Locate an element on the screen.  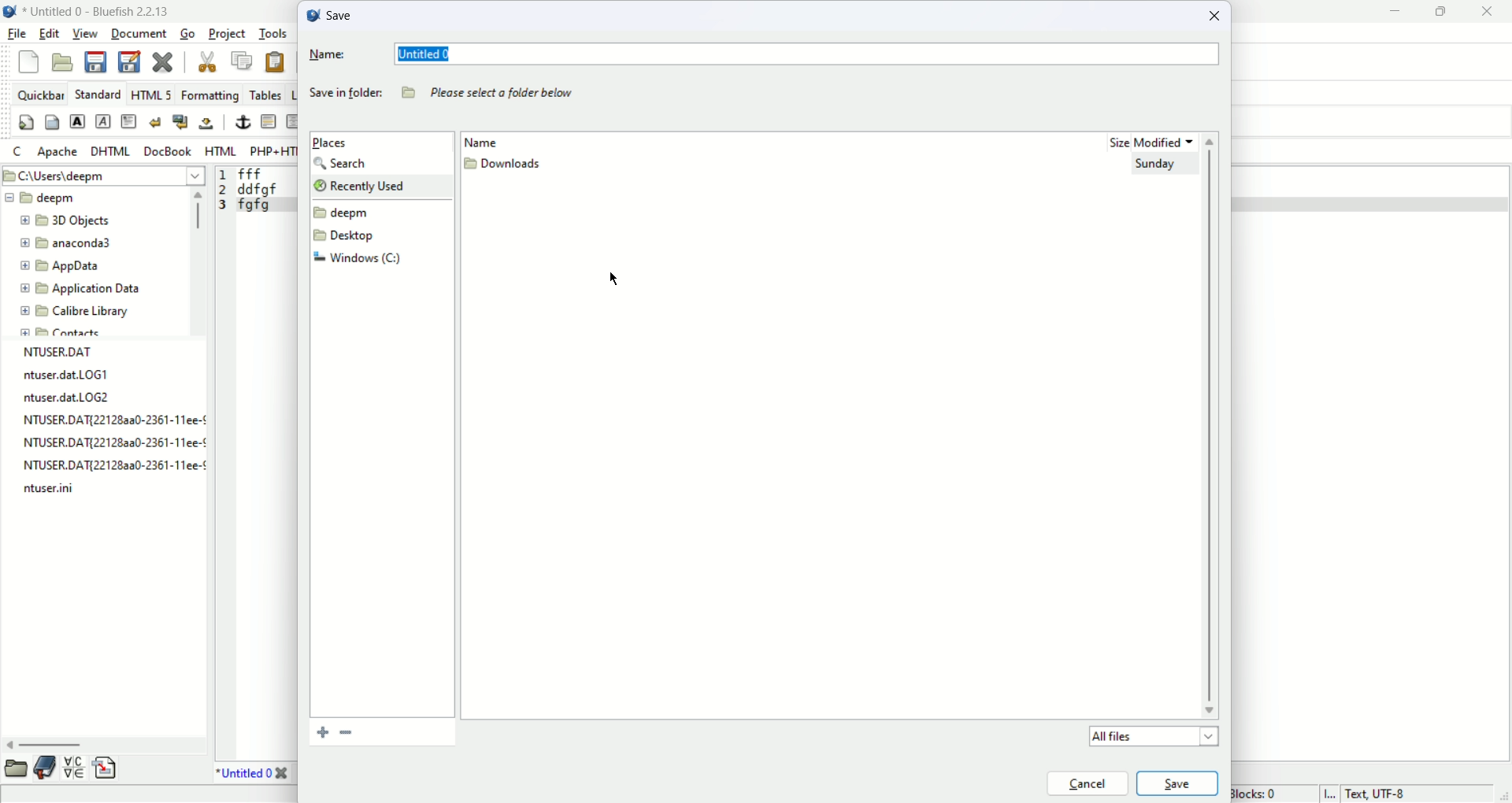
C is located at coordinates (20, 152).